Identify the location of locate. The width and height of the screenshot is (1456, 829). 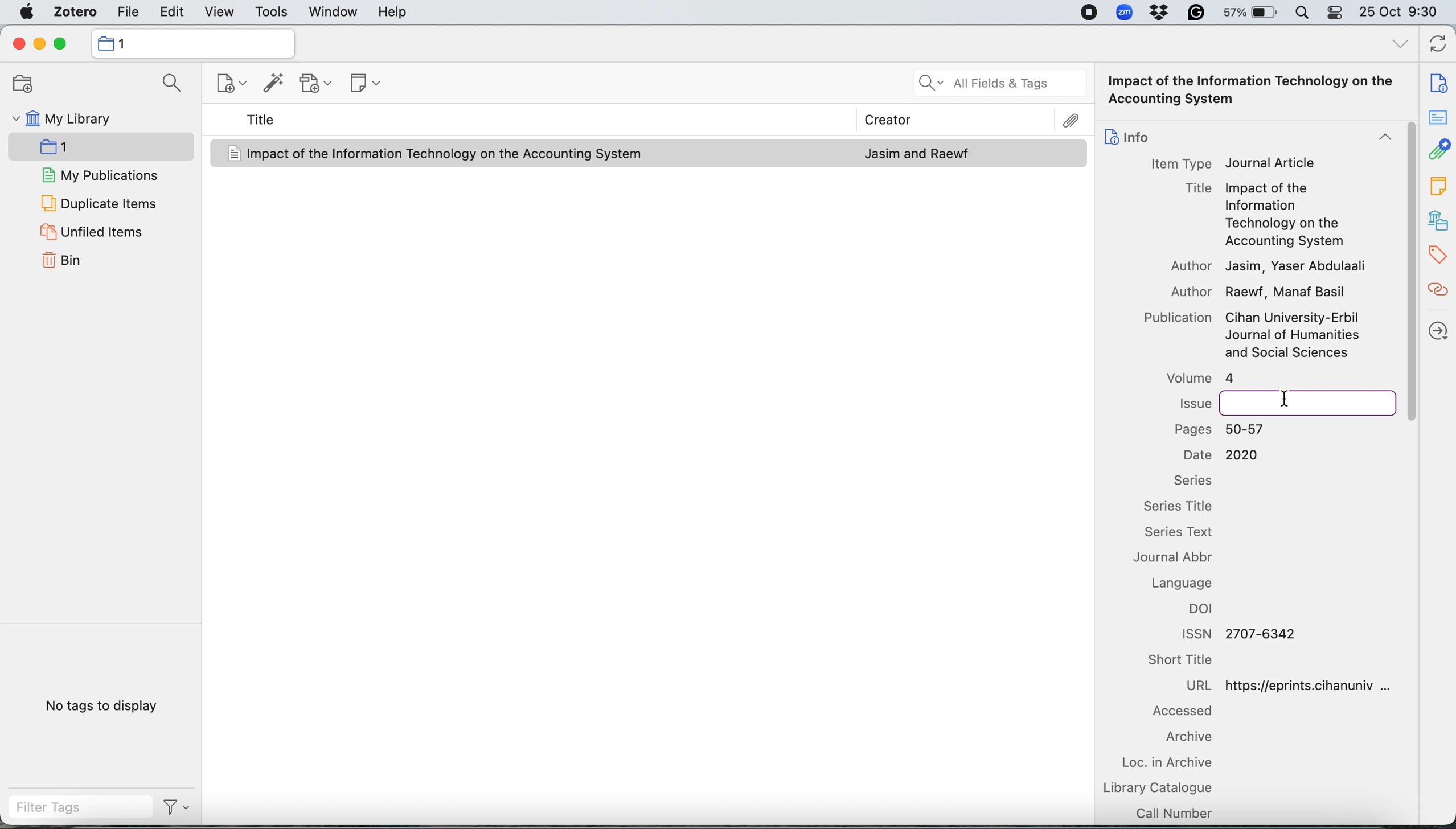
(1437, 329).